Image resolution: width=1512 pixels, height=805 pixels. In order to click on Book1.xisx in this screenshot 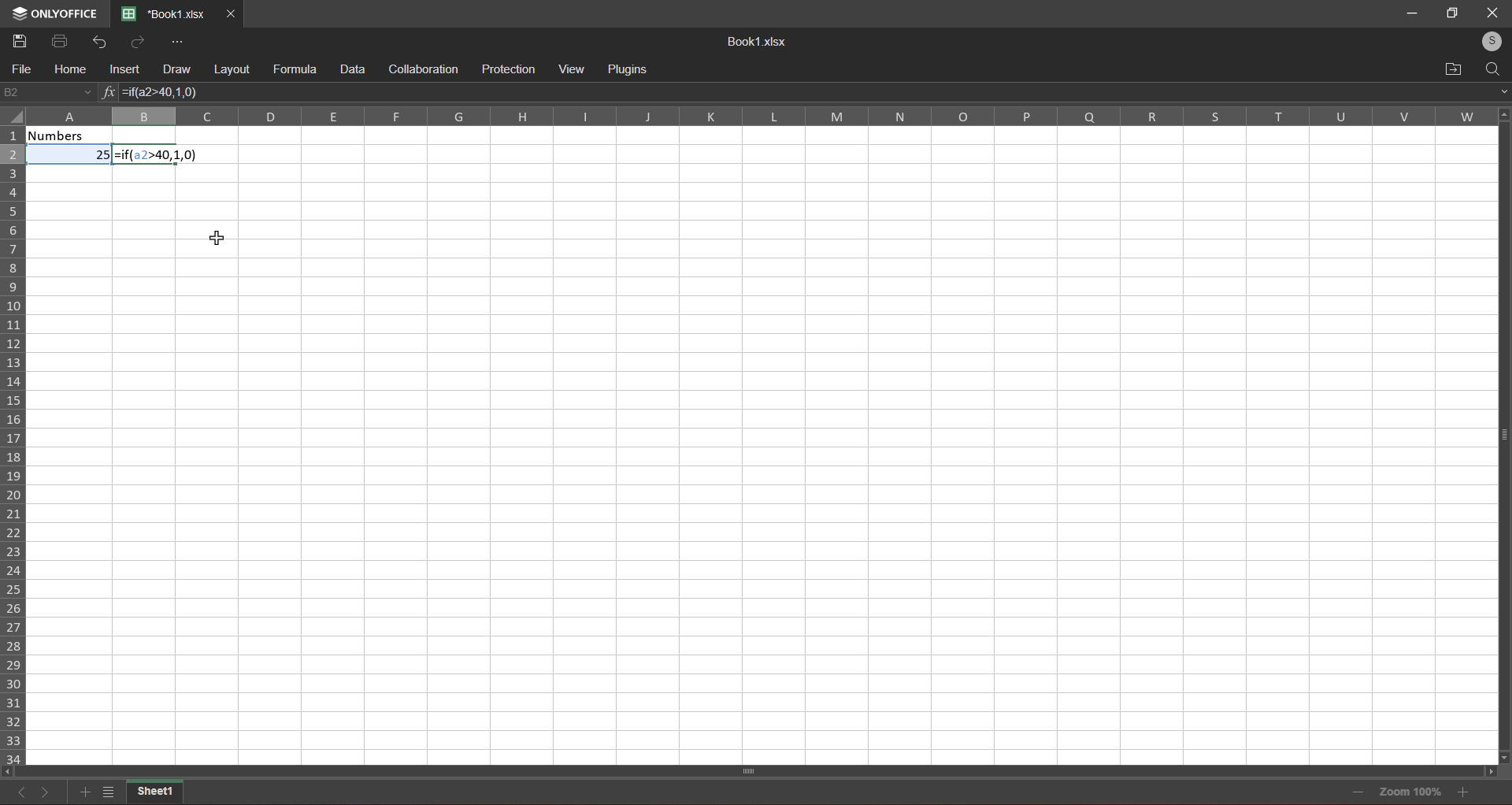, I will do `click(754, 42)`.